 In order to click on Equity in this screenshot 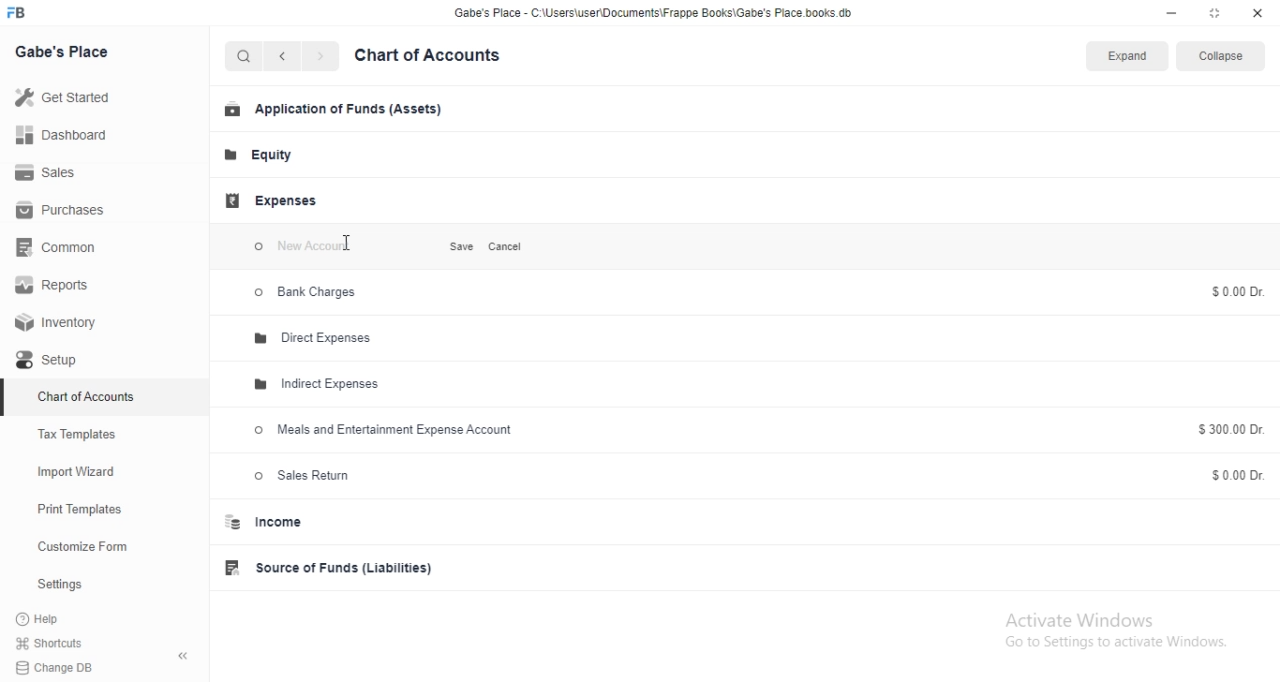, I will do `click(269, 157)`.